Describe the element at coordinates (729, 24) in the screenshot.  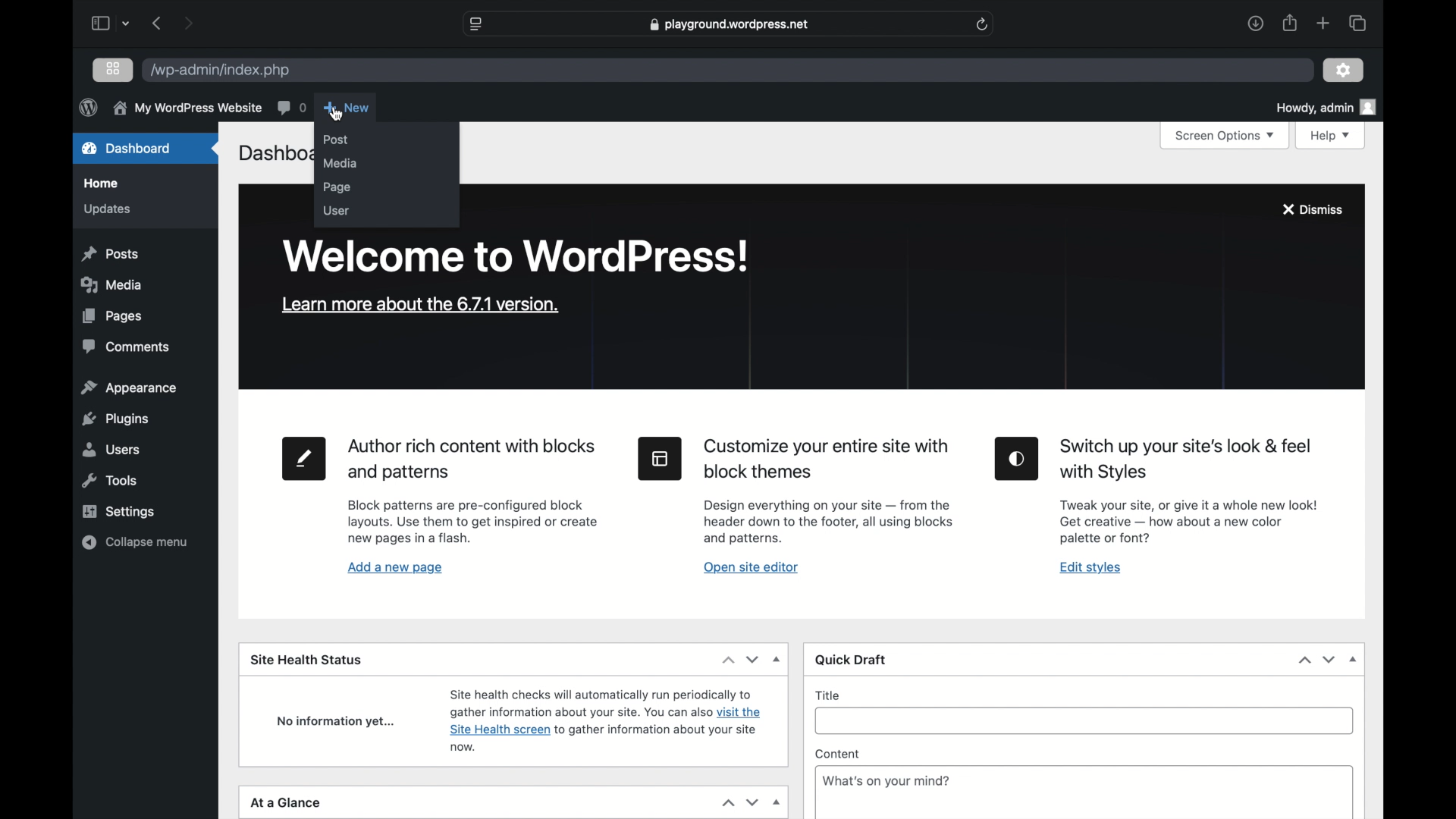
I see `web address` at that location.